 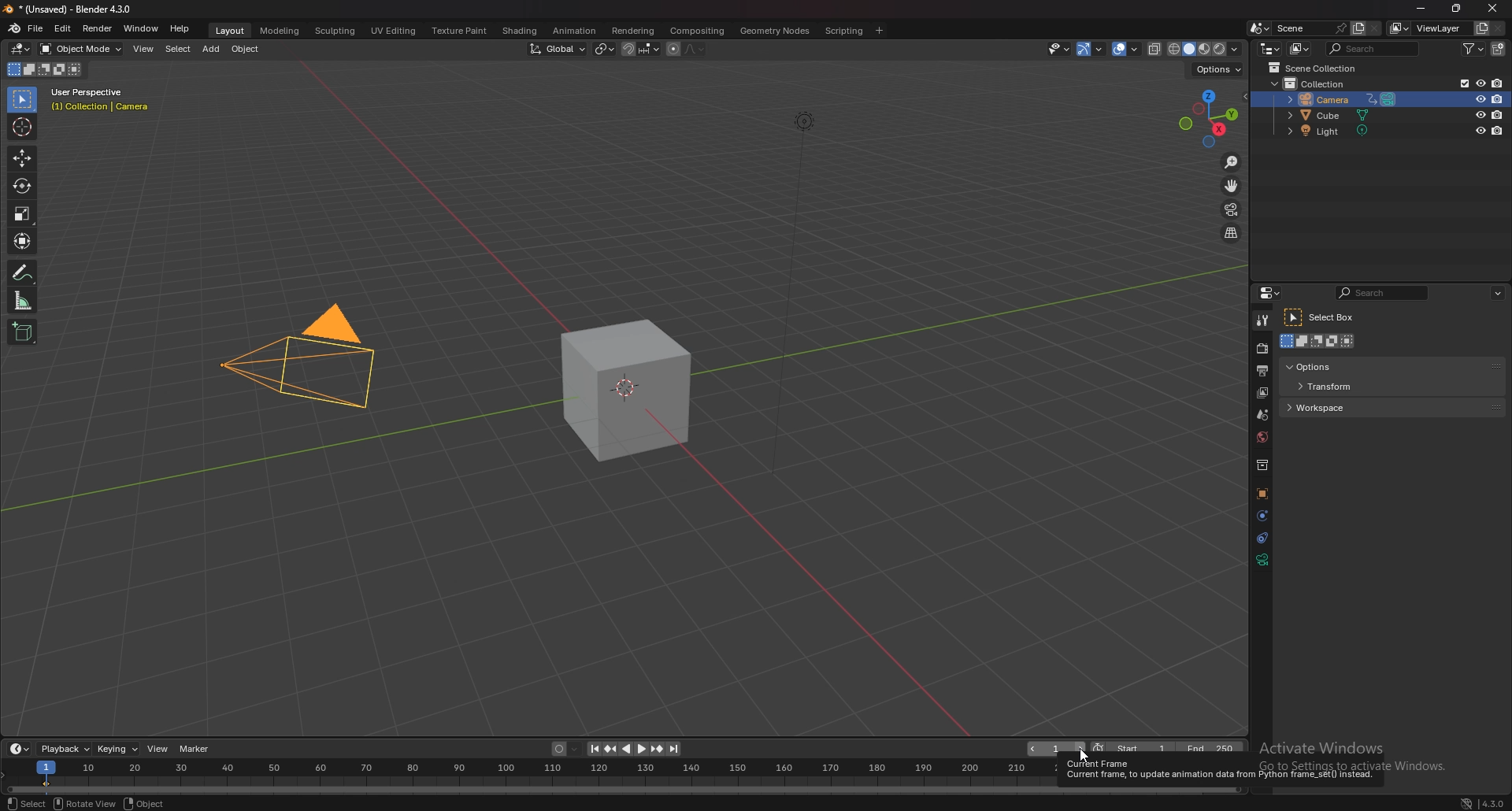 I want to click on scene, so click(x=1264, y=415).